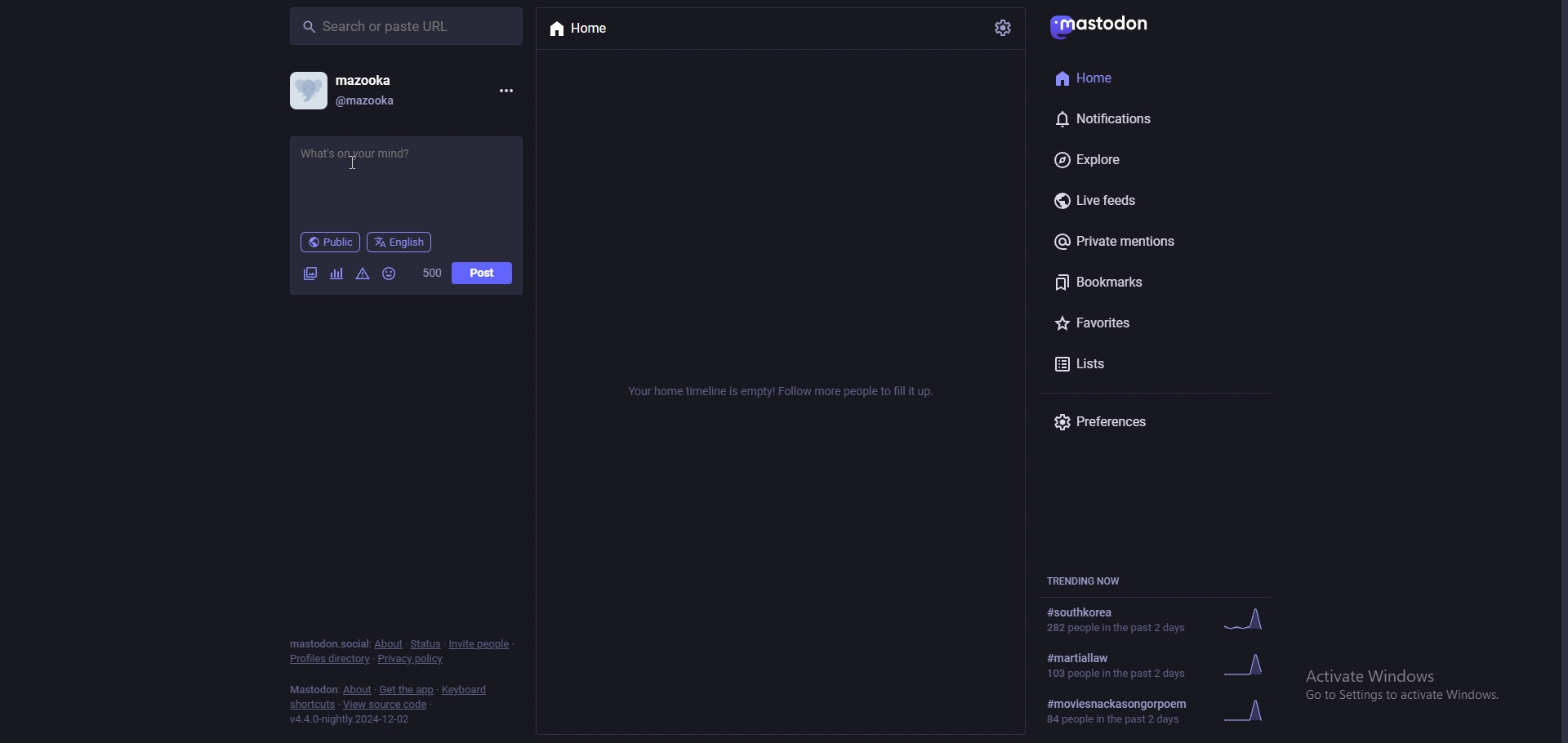  What do you see at coordinates (358, 690) in the screenshot?
I see `about` at bounding box center [358, 690].